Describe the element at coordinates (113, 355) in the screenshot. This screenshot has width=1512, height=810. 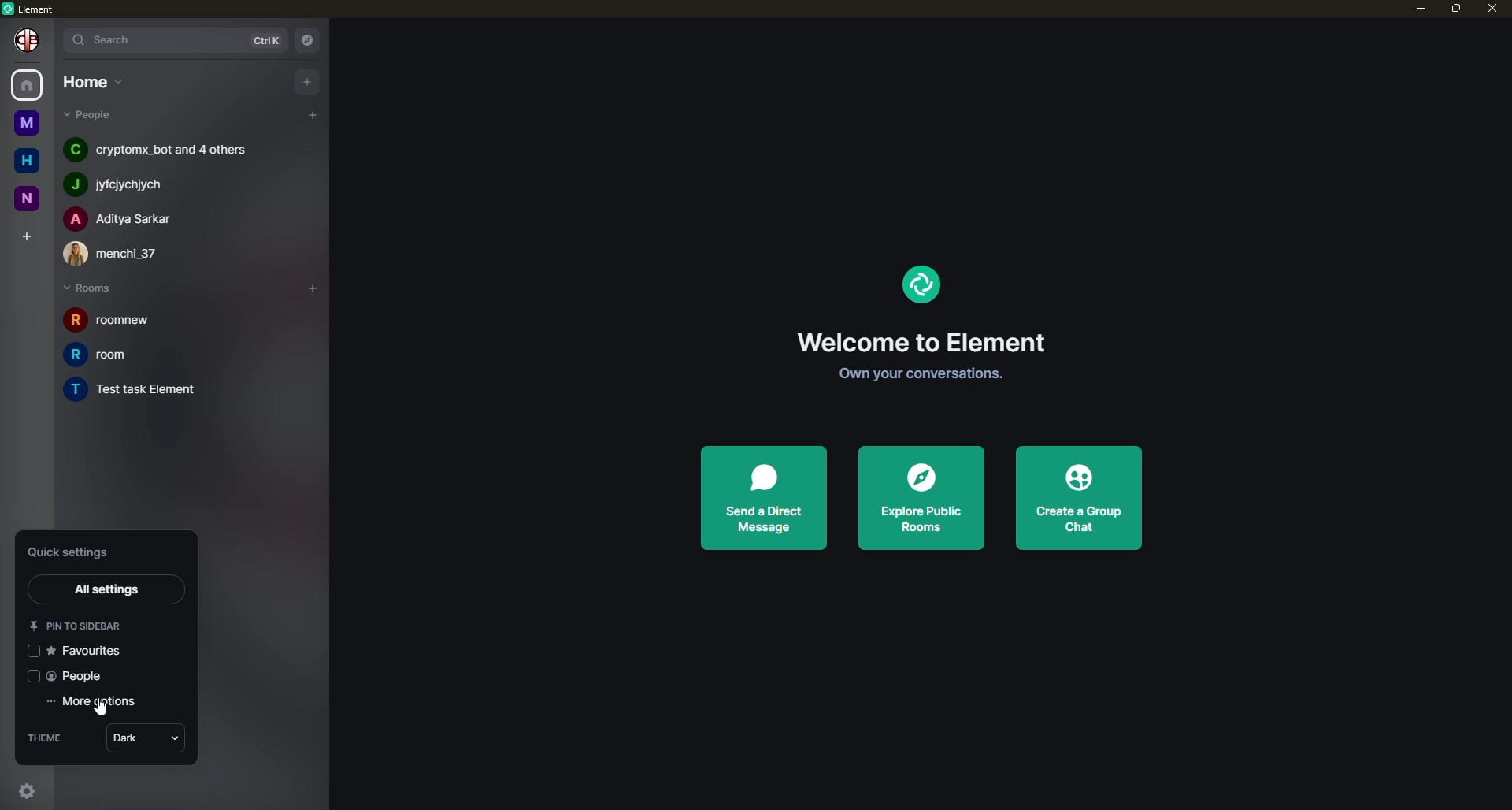
I see `room` at that location.